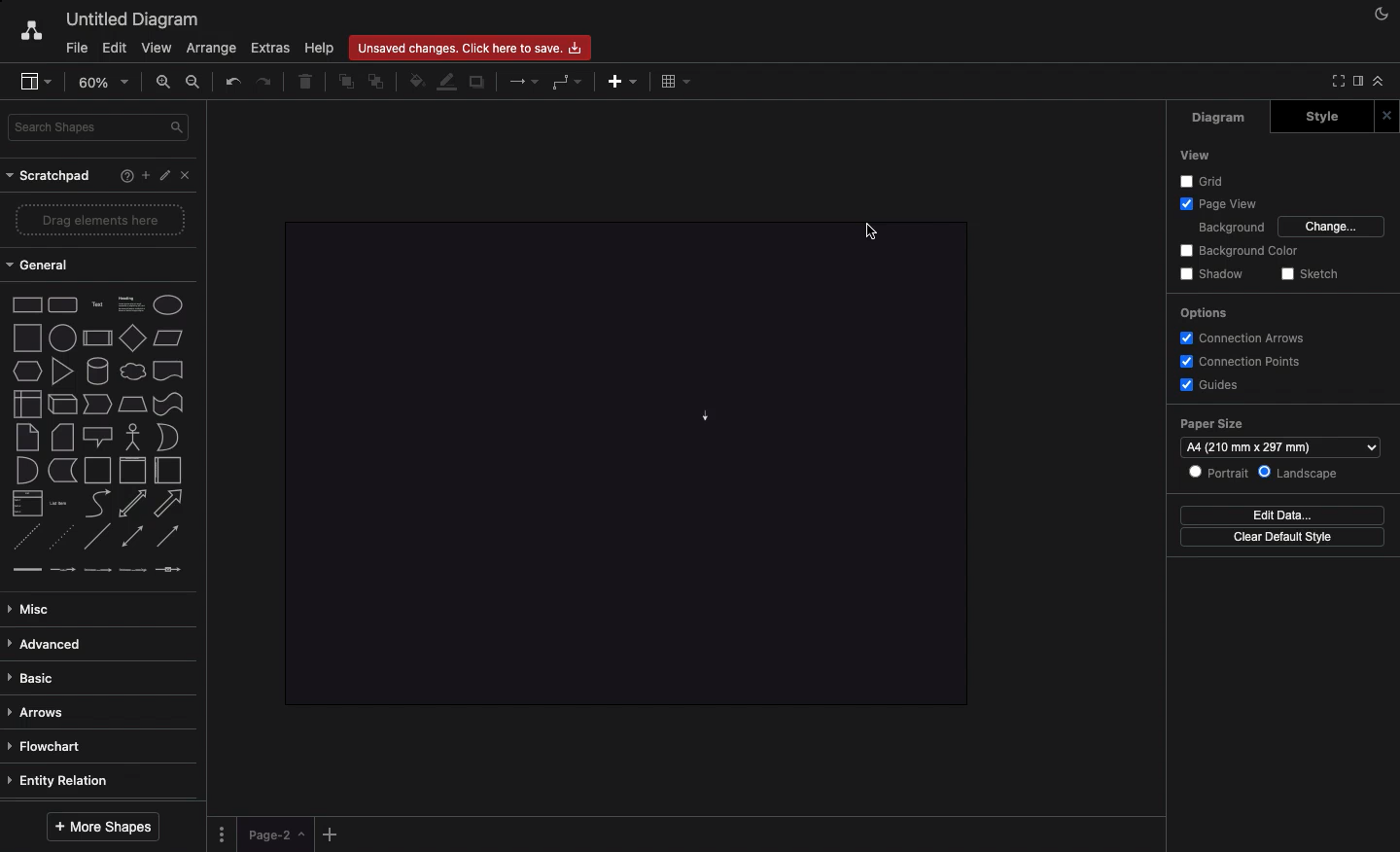 The image size is (1400, 852). I want to click on Connection arrows, so click(1247, 337).